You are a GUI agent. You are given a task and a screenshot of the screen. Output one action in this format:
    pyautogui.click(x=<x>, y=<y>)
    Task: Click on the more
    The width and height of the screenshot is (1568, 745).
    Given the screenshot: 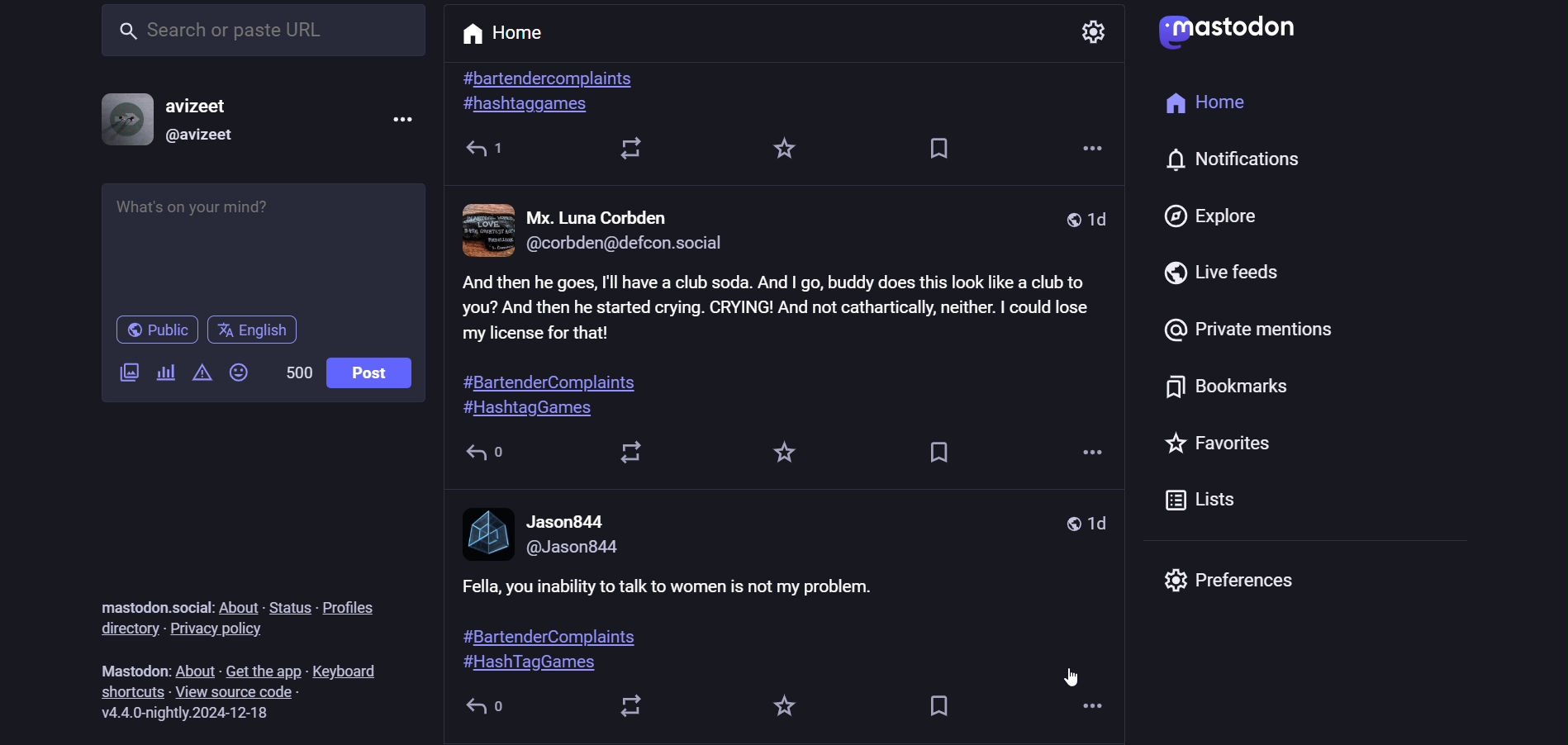 What is the action you would take?
    pyautogui.click(x=1087, y=140)
    